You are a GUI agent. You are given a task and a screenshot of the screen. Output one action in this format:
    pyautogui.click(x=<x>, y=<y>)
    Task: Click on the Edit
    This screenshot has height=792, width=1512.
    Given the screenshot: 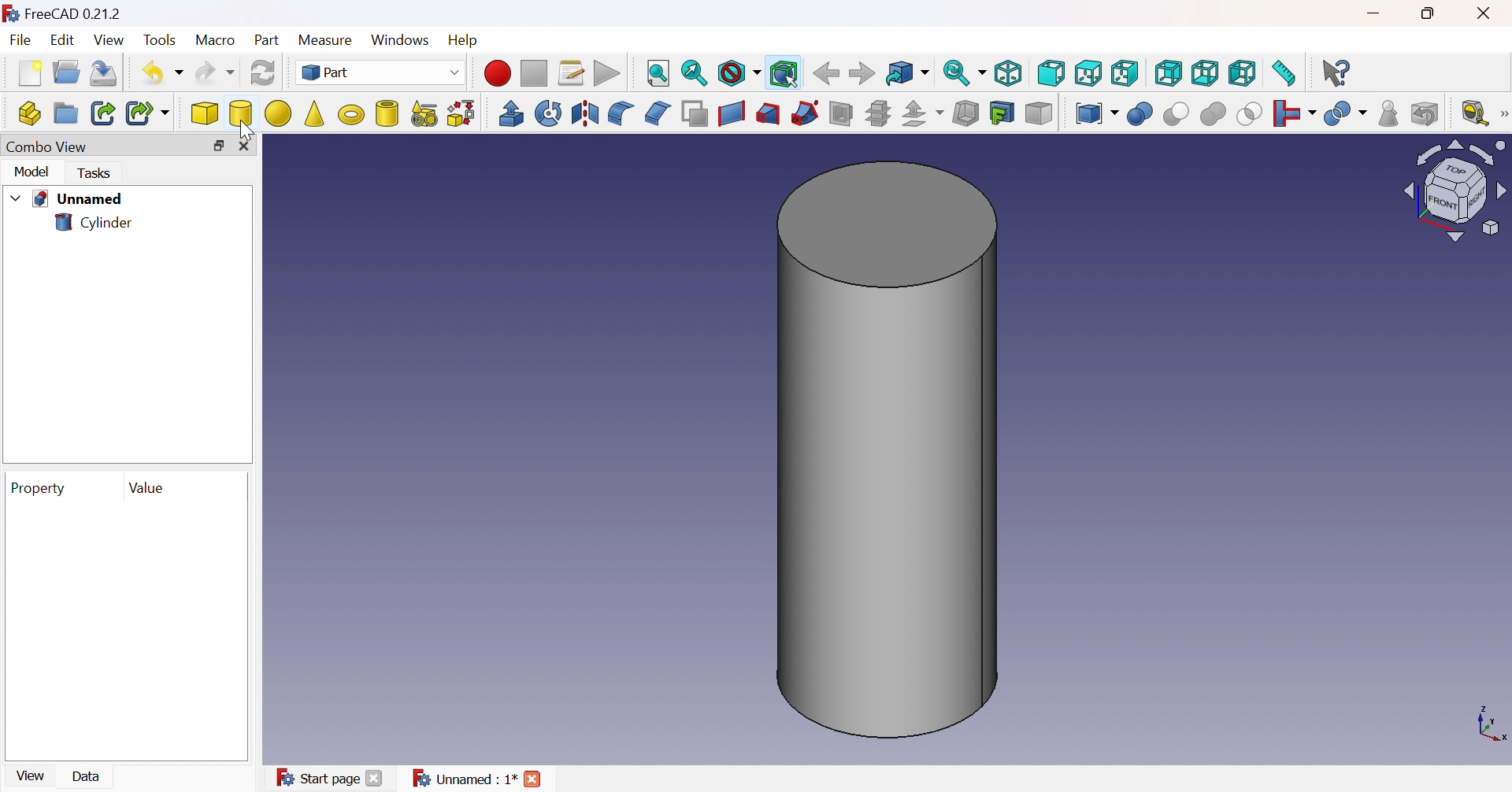 What is the action you would take?
    pyautogui.click(x=65, y=41)
    